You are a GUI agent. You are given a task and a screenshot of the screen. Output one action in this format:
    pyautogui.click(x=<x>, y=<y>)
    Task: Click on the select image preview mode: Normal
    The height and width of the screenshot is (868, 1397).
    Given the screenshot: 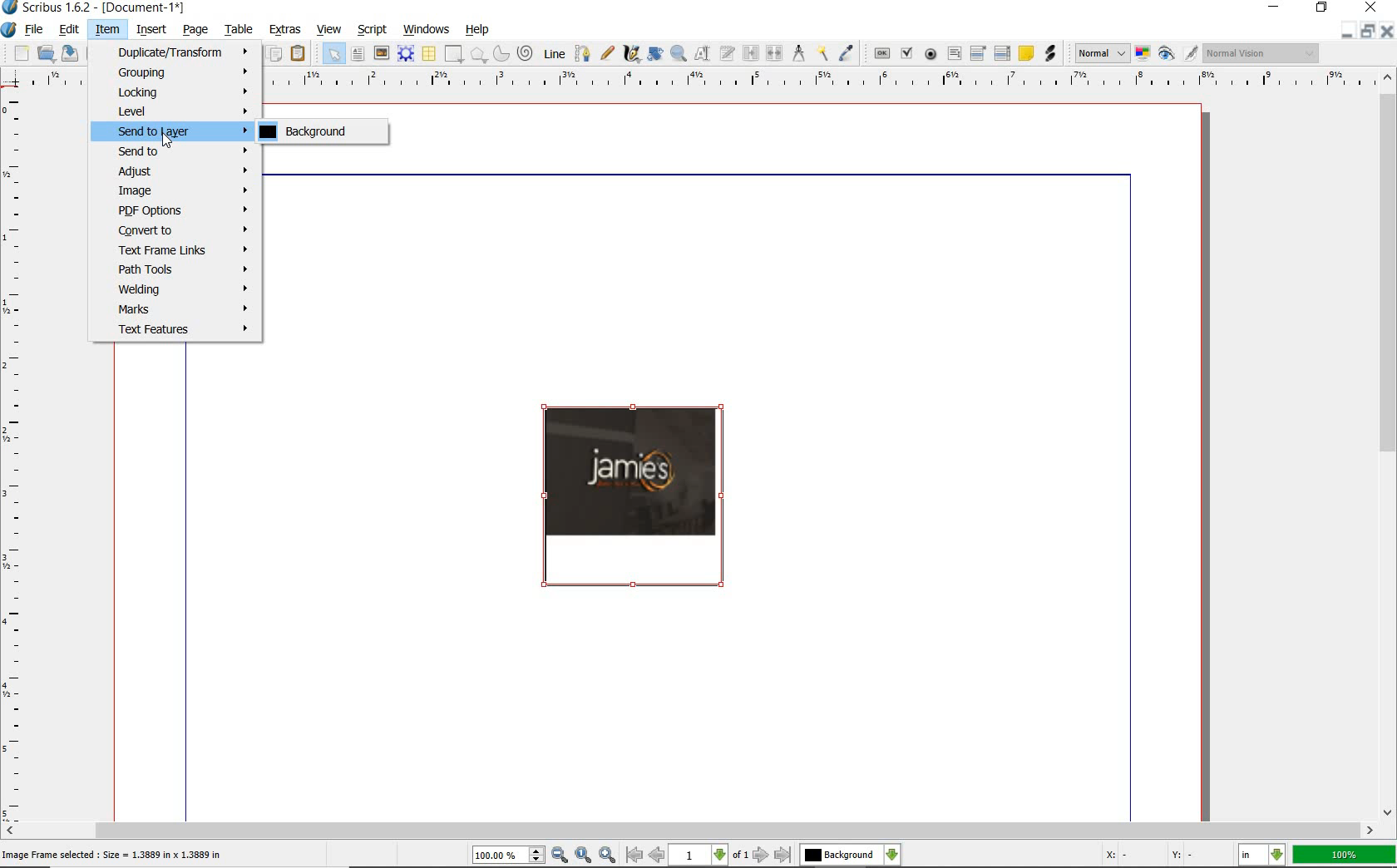 What is the action you would take?
    pyautogui.click(x=1101, y=53)
    